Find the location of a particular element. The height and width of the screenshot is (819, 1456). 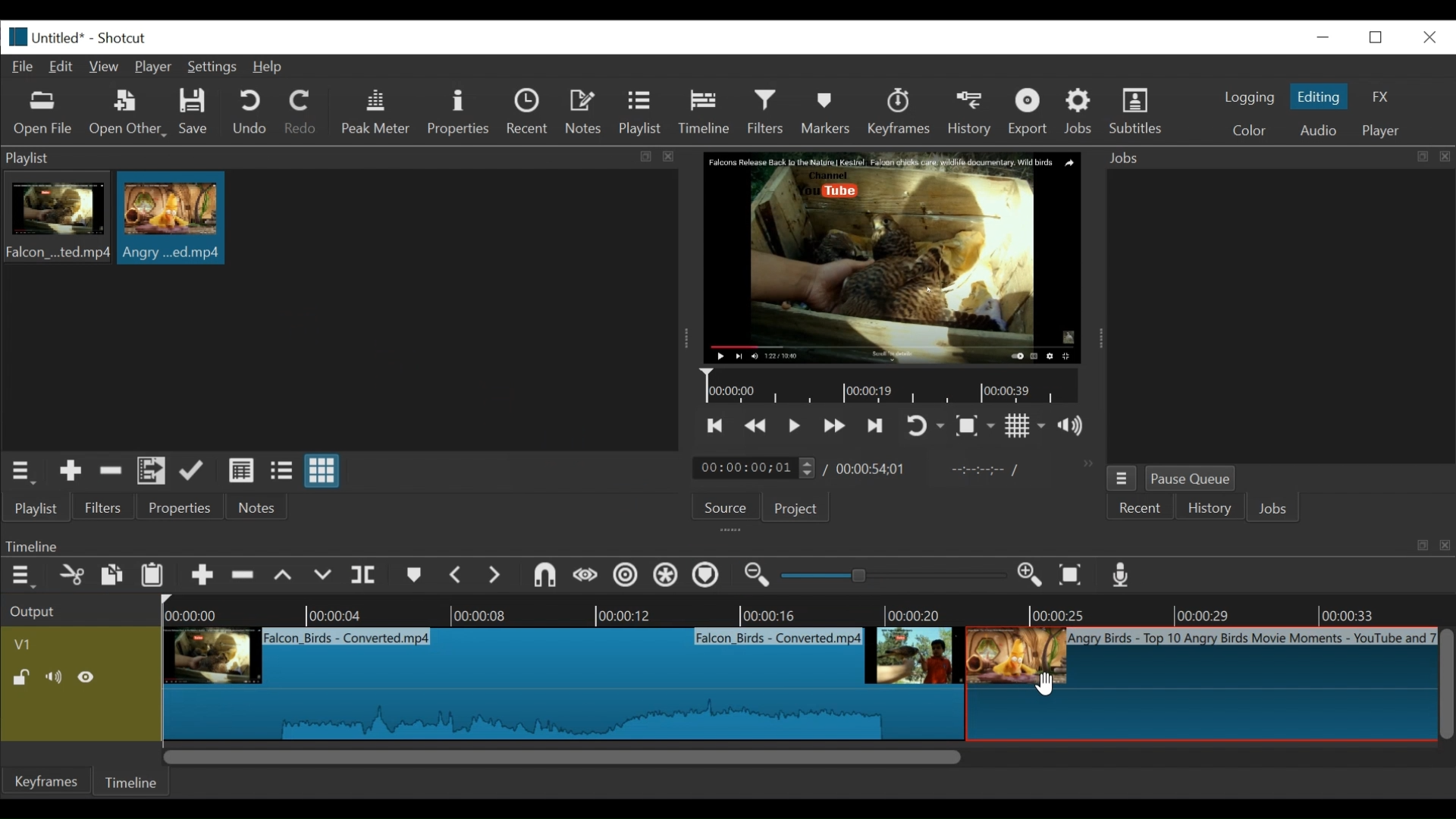

view as icons is located at coordinates (320, 472).